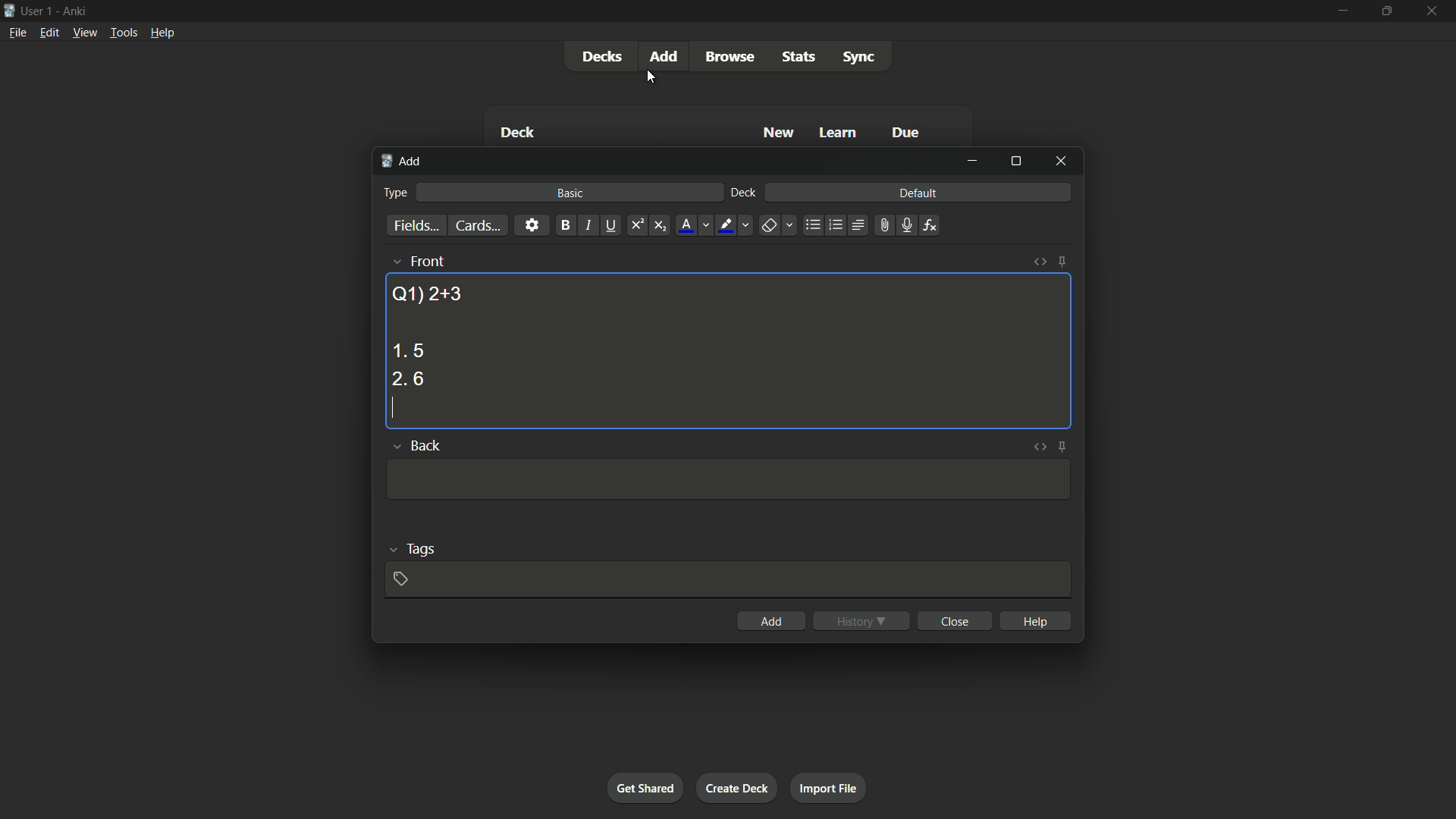 The width and height of the screenshot is (1456, 819). I want to click on decks, so click(601, 57).